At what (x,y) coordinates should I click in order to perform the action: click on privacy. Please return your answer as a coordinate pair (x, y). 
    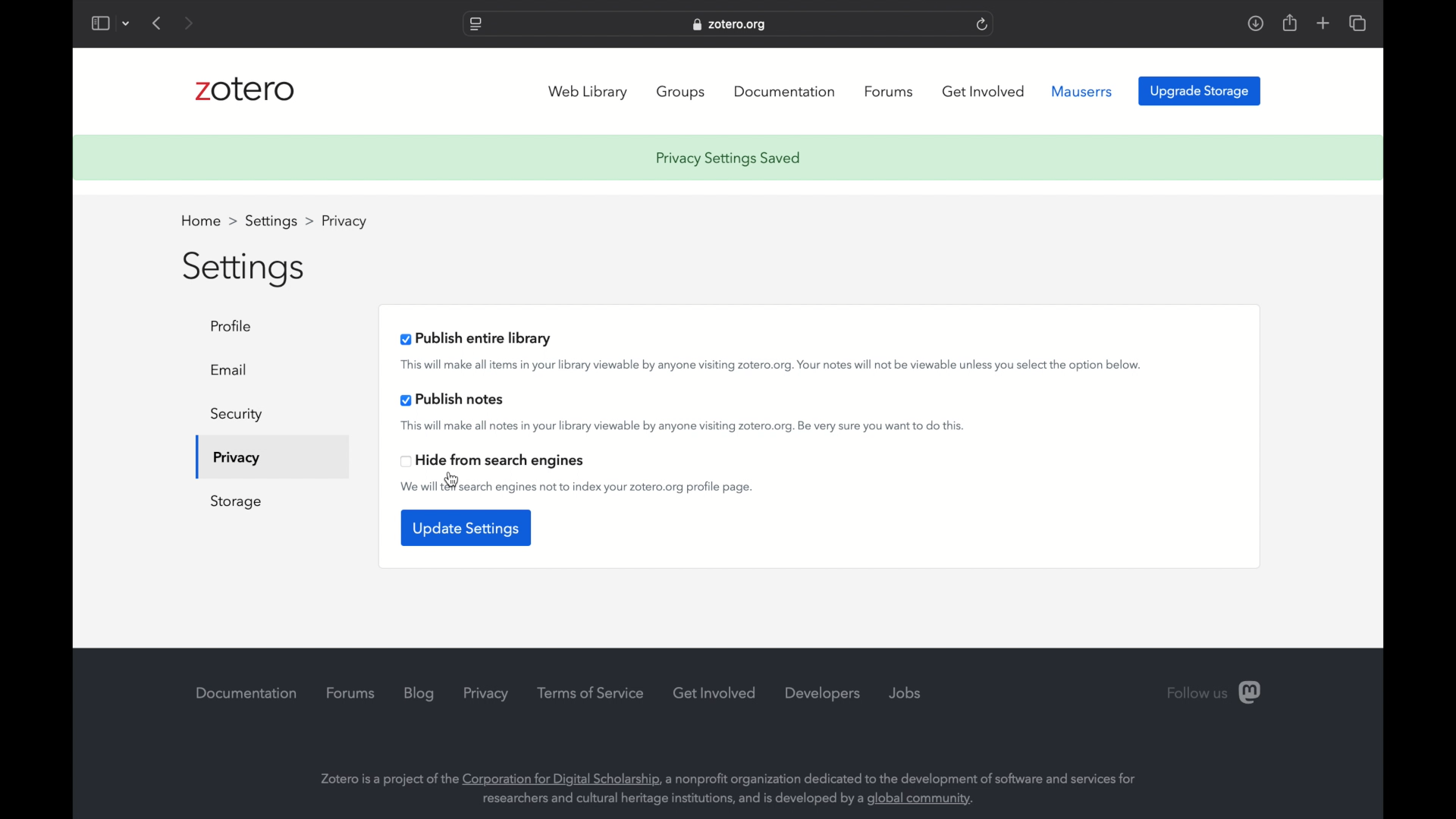
    Looking at the image, I should click on (235, 458).